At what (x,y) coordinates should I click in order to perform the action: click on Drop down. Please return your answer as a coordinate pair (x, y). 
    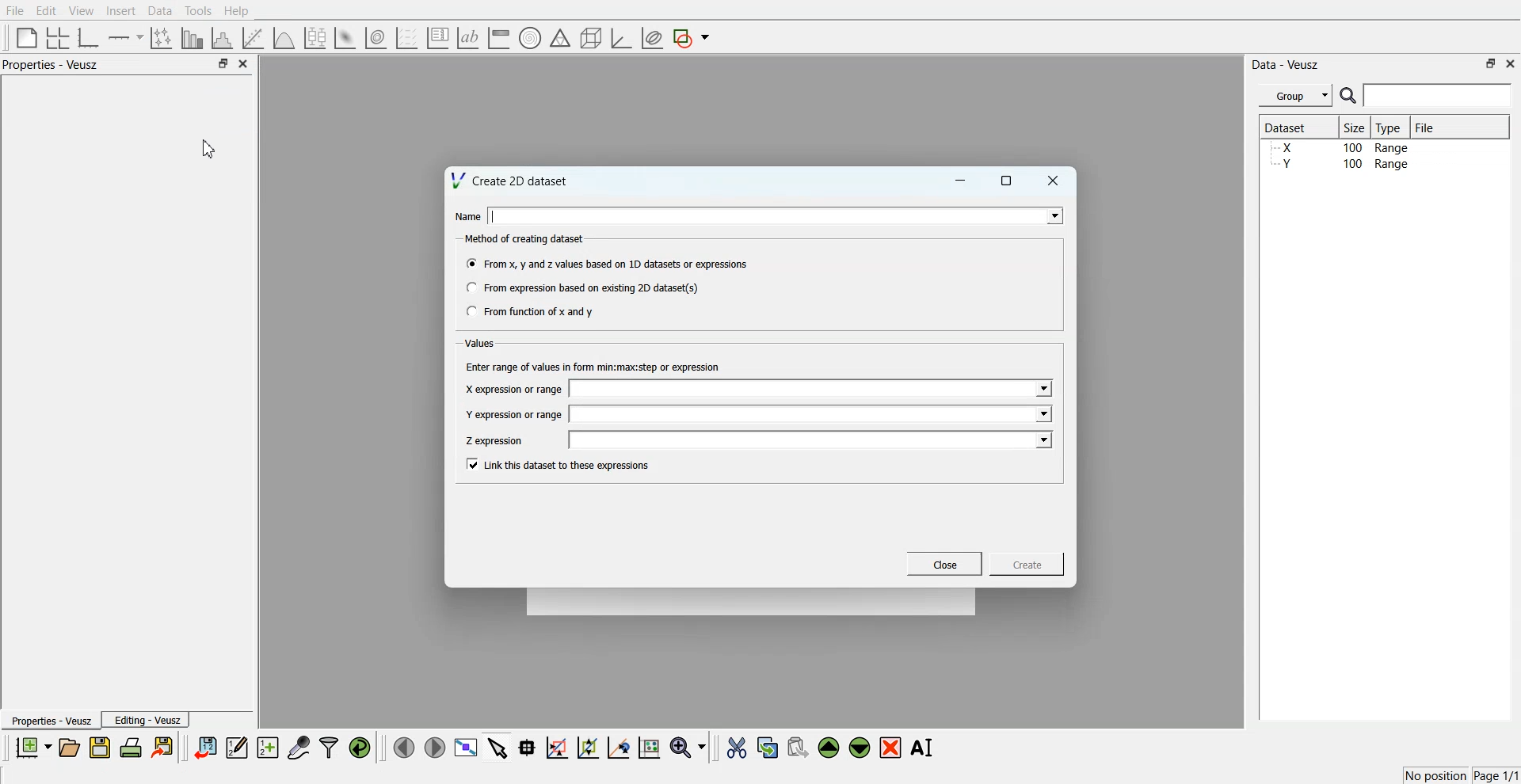
    Looking at the image, I should click on (1042, 413).